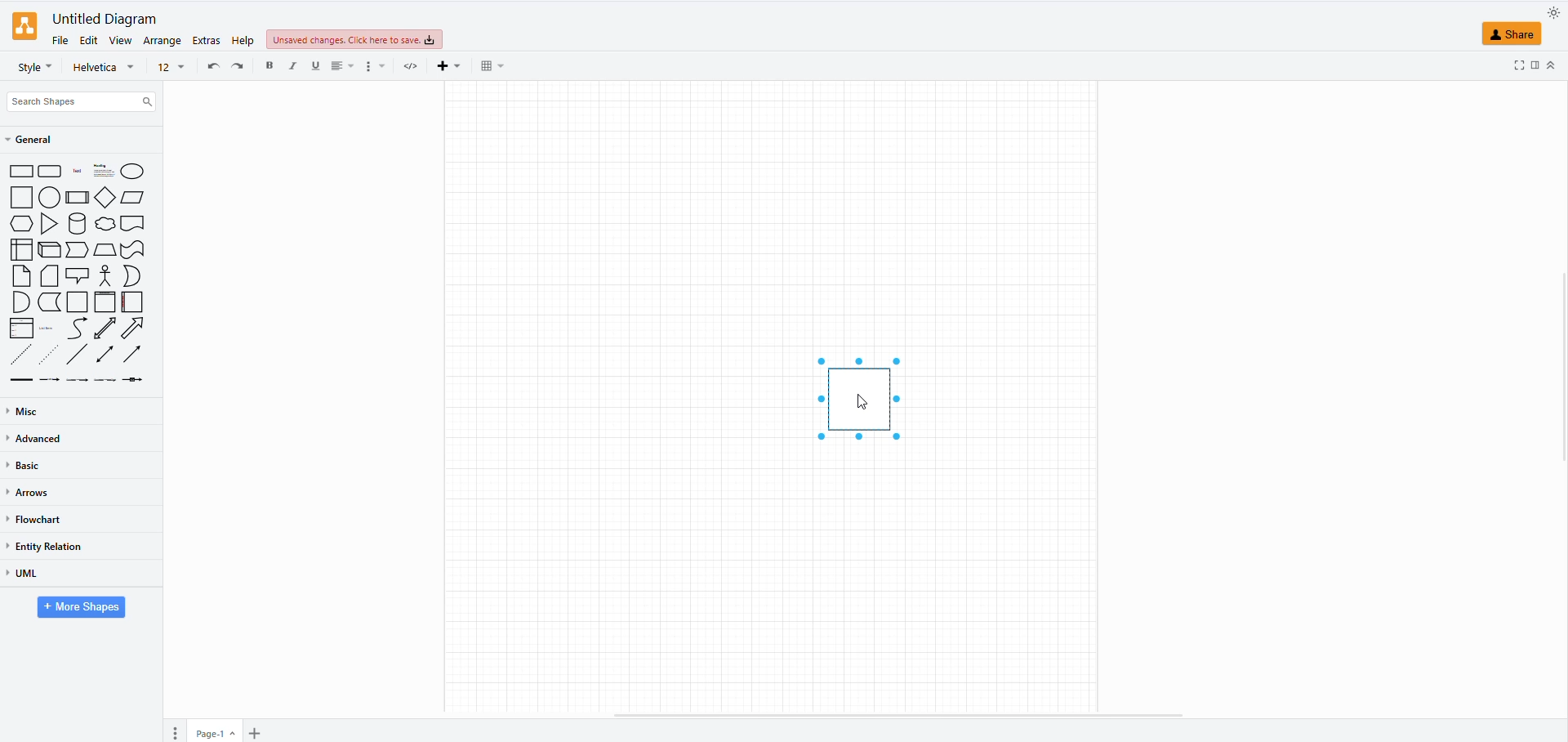 The width and height of the screenshot is (1568, 742). I want to click on connector with 3 labels , so click(105, 380).